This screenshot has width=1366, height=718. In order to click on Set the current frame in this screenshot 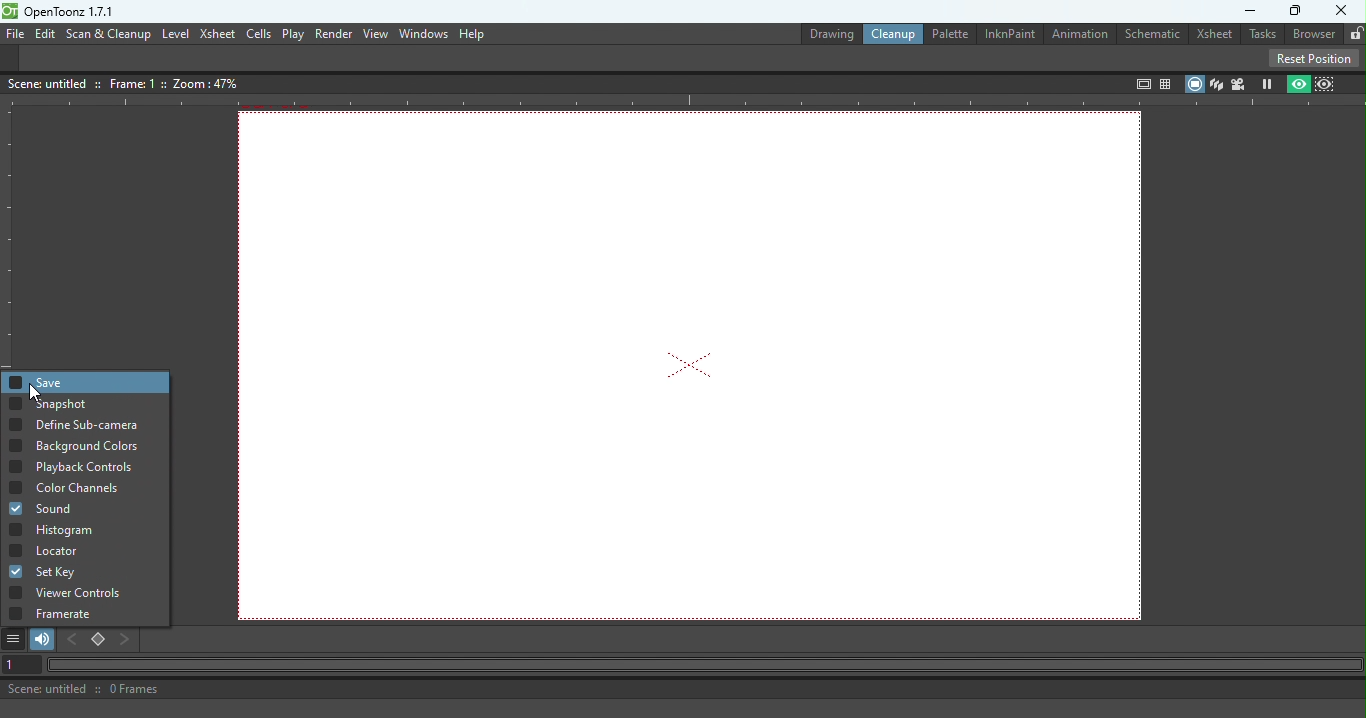, I will do `click(18, 665)`.